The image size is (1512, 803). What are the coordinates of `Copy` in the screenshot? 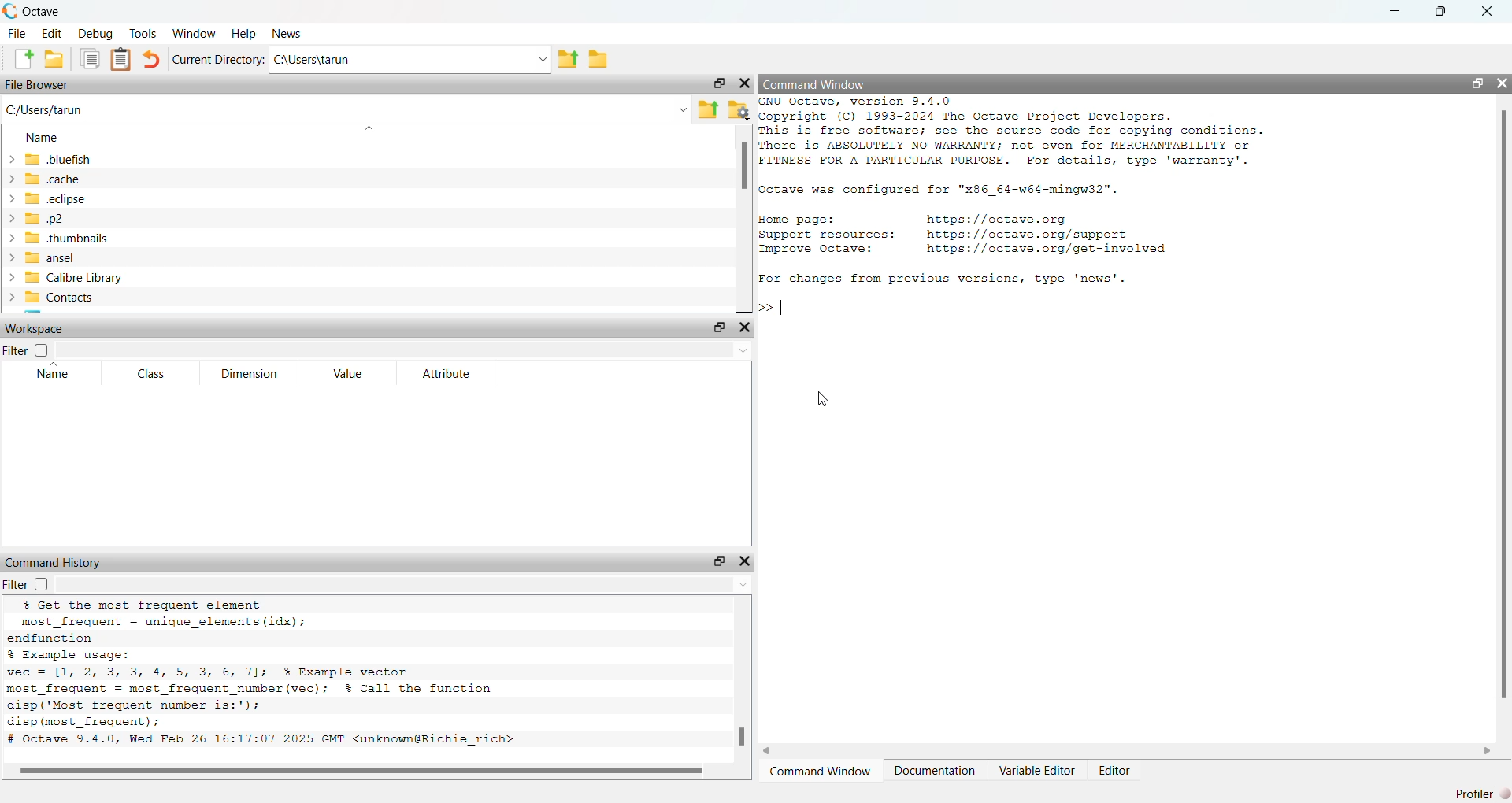 It's located at (89, 59).